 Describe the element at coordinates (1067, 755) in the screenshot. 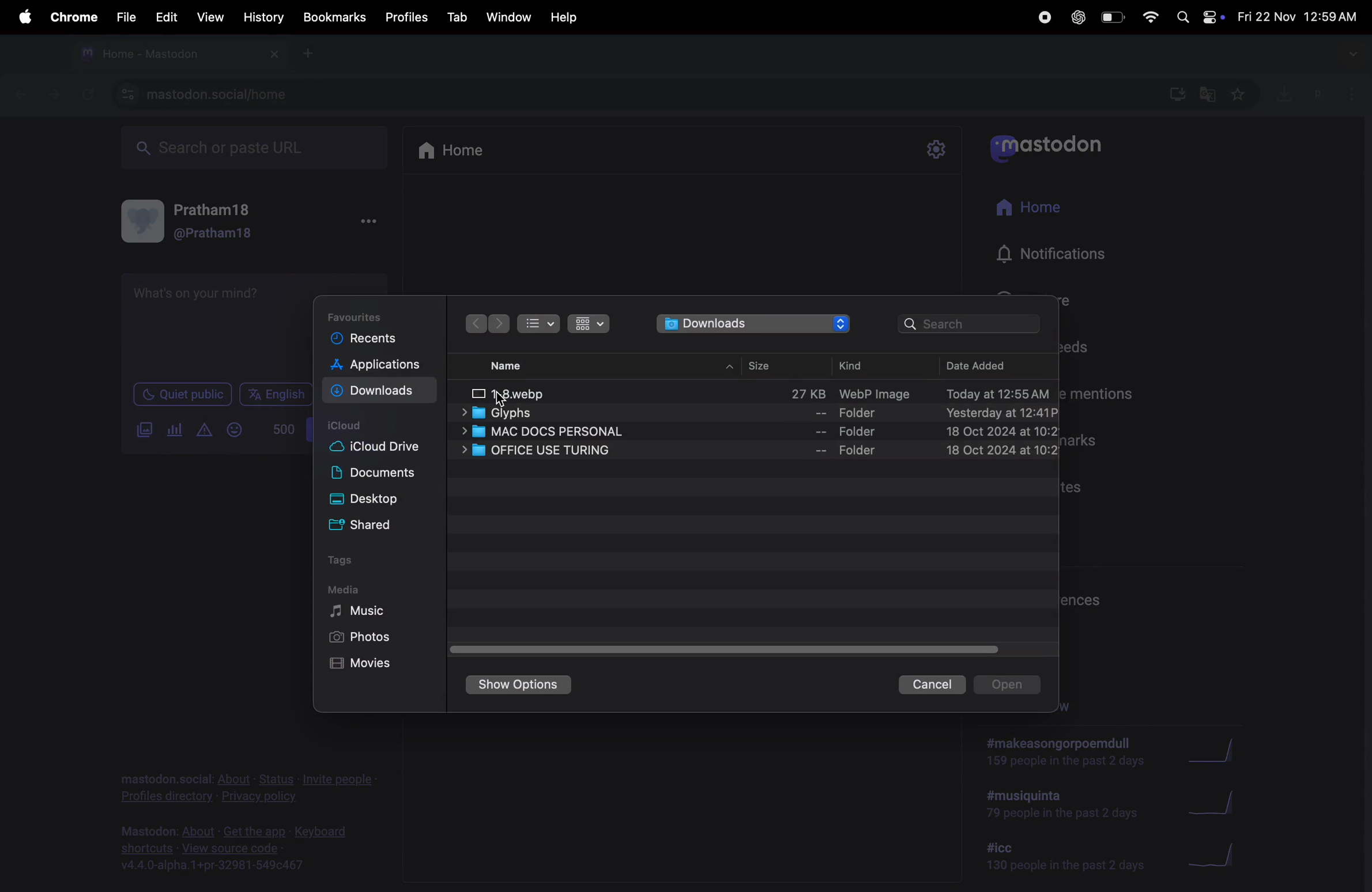

I see `trending now` at that location.